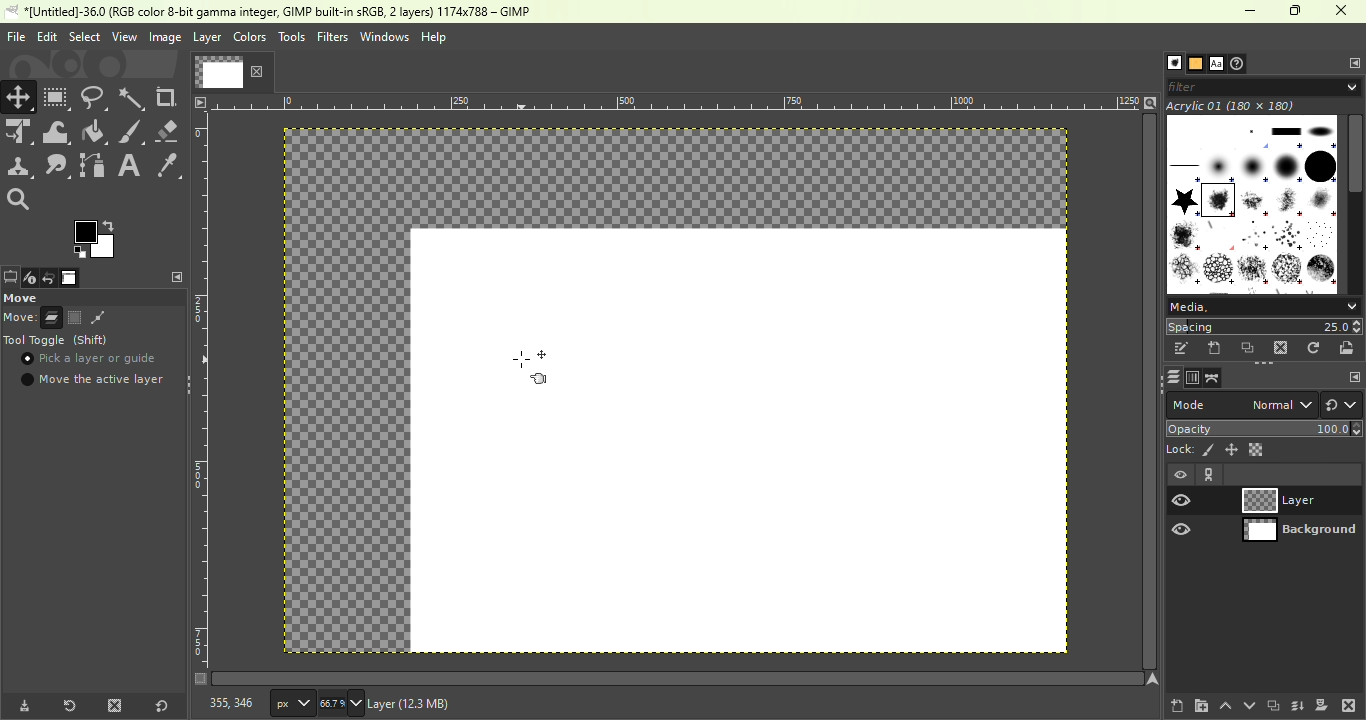 The width and height of the screenshot is (1366, 720). What do you see at coordinates (677, 101) in the screenshot?
I see `Ruler measurement` at bounding box center [677, 101].